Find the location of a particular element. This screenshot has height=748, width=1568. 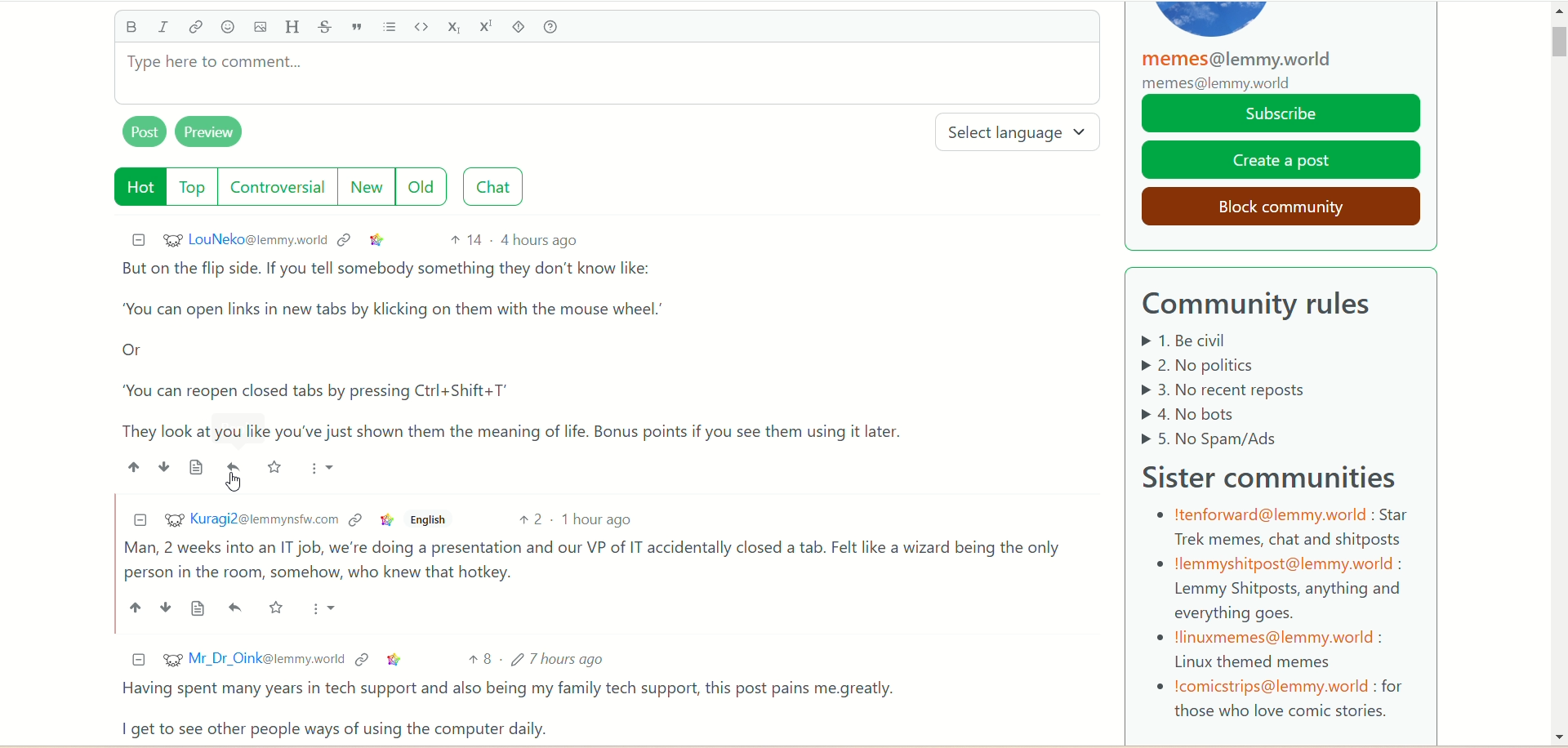

emoji is located at coordinates (227, 28).